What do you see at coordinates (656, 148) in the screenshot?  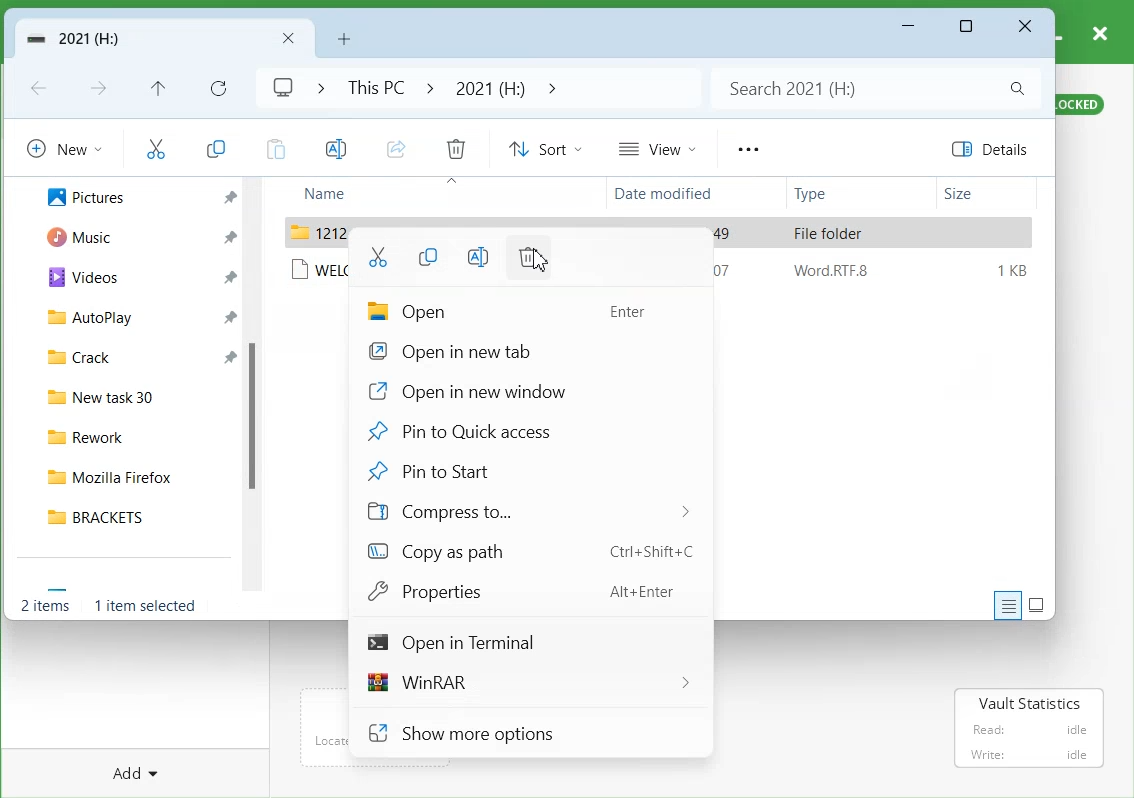 I see `View ` at bounding box center [656, 148].